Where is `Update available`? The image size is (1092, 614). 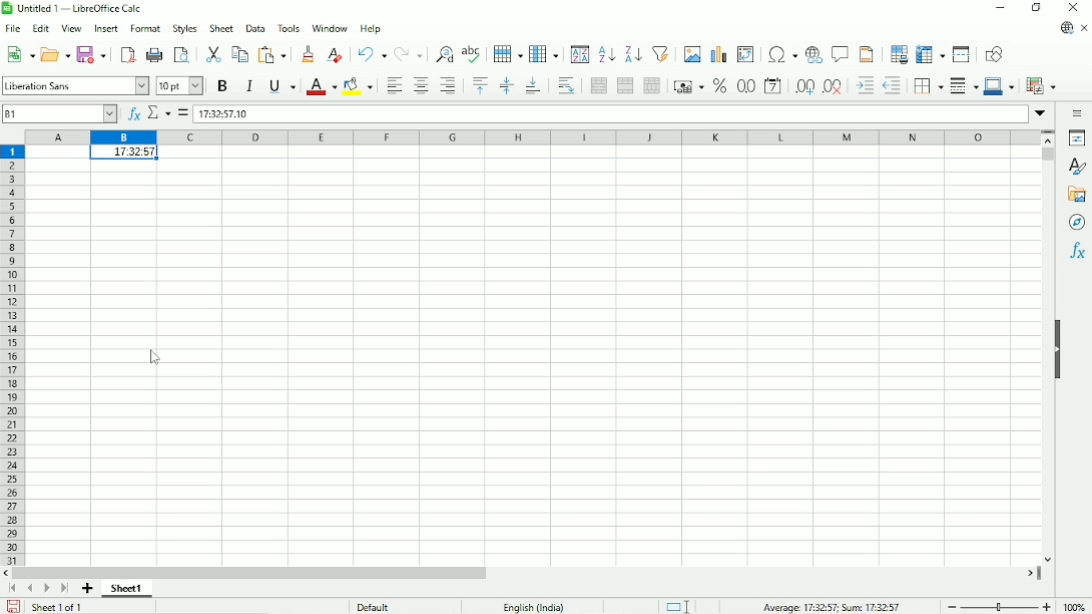
Update available is located at coordinates (1067, 29).